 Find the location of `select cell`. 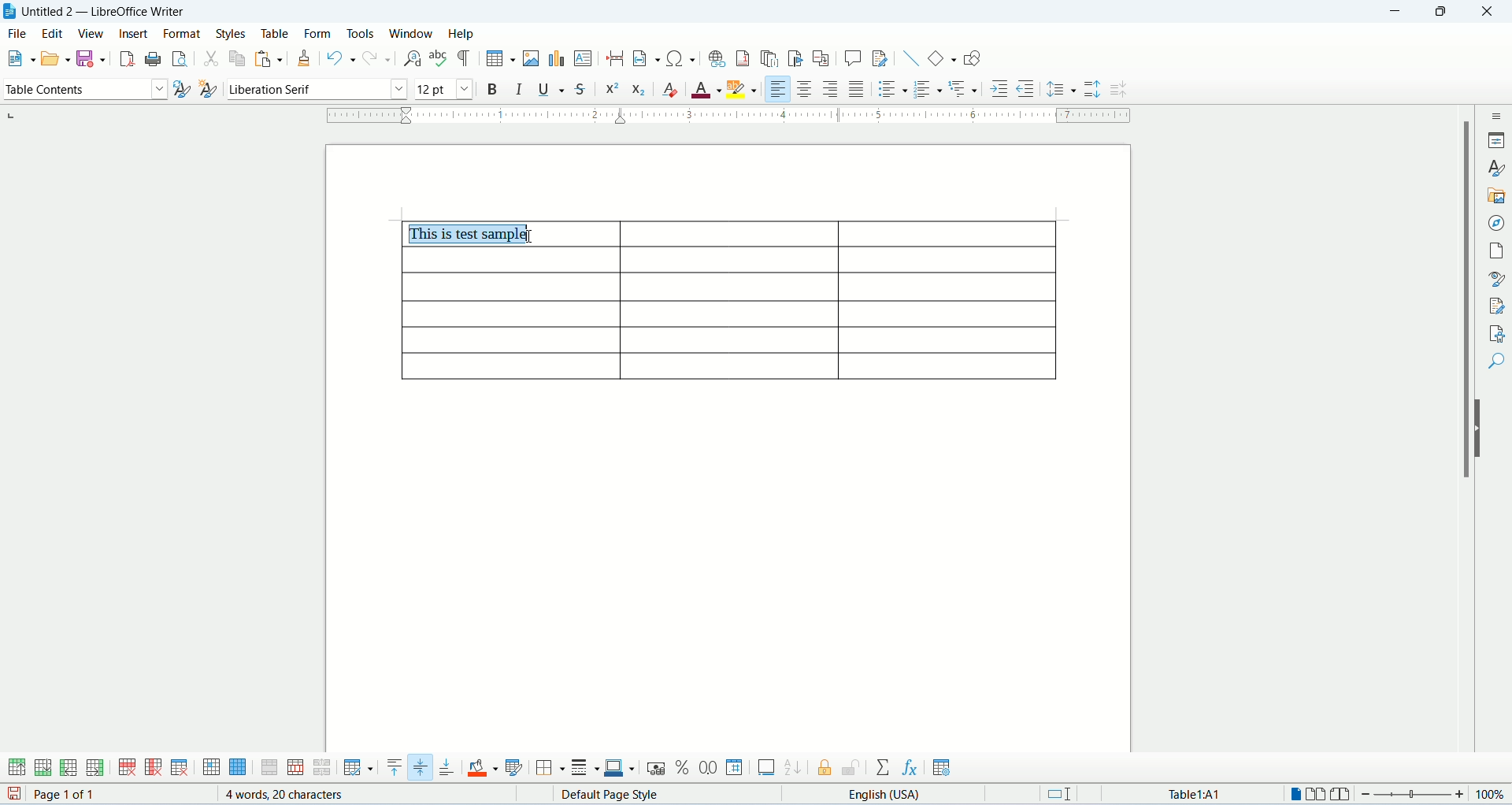

select cell is located at coordinates (211, 769).